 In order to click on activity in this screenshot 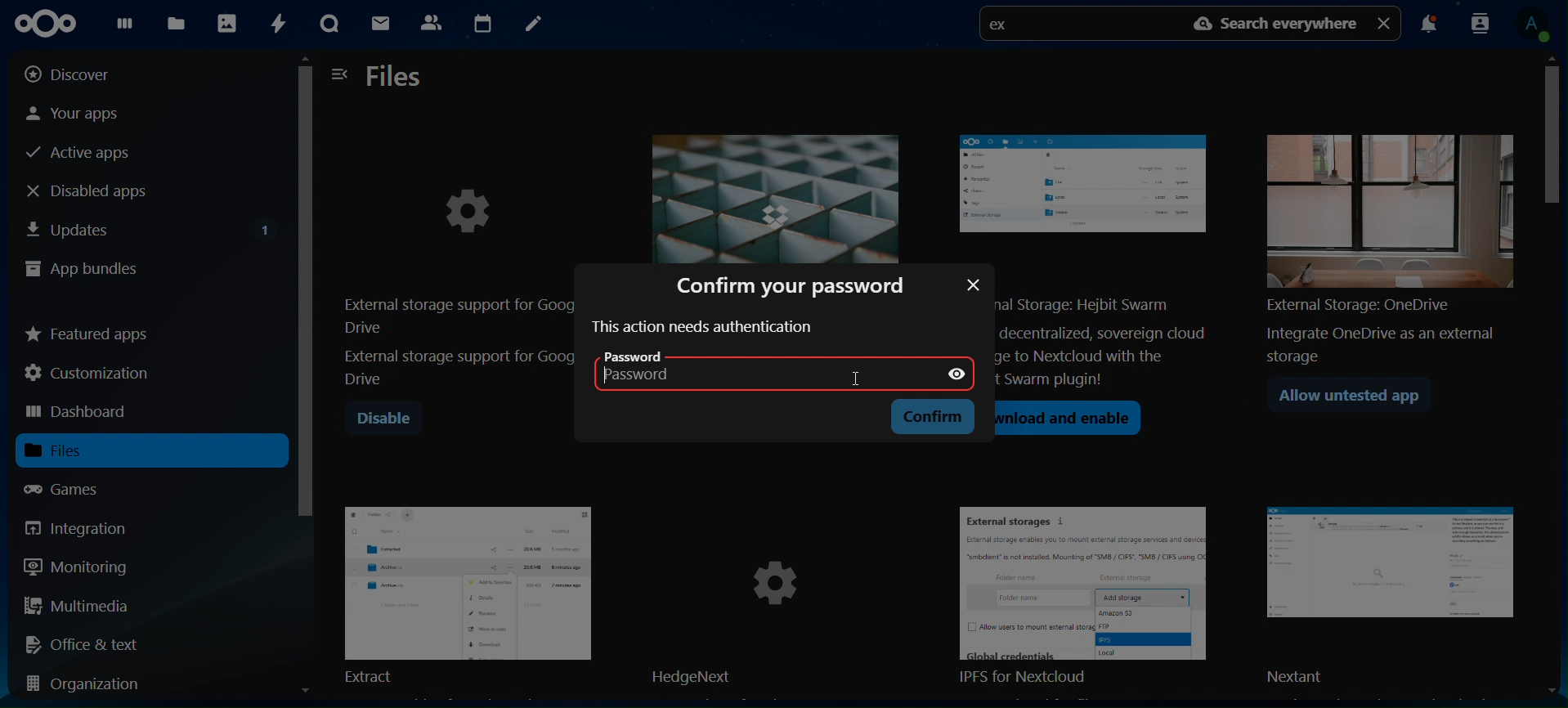, I will do `click(276, 24)`.